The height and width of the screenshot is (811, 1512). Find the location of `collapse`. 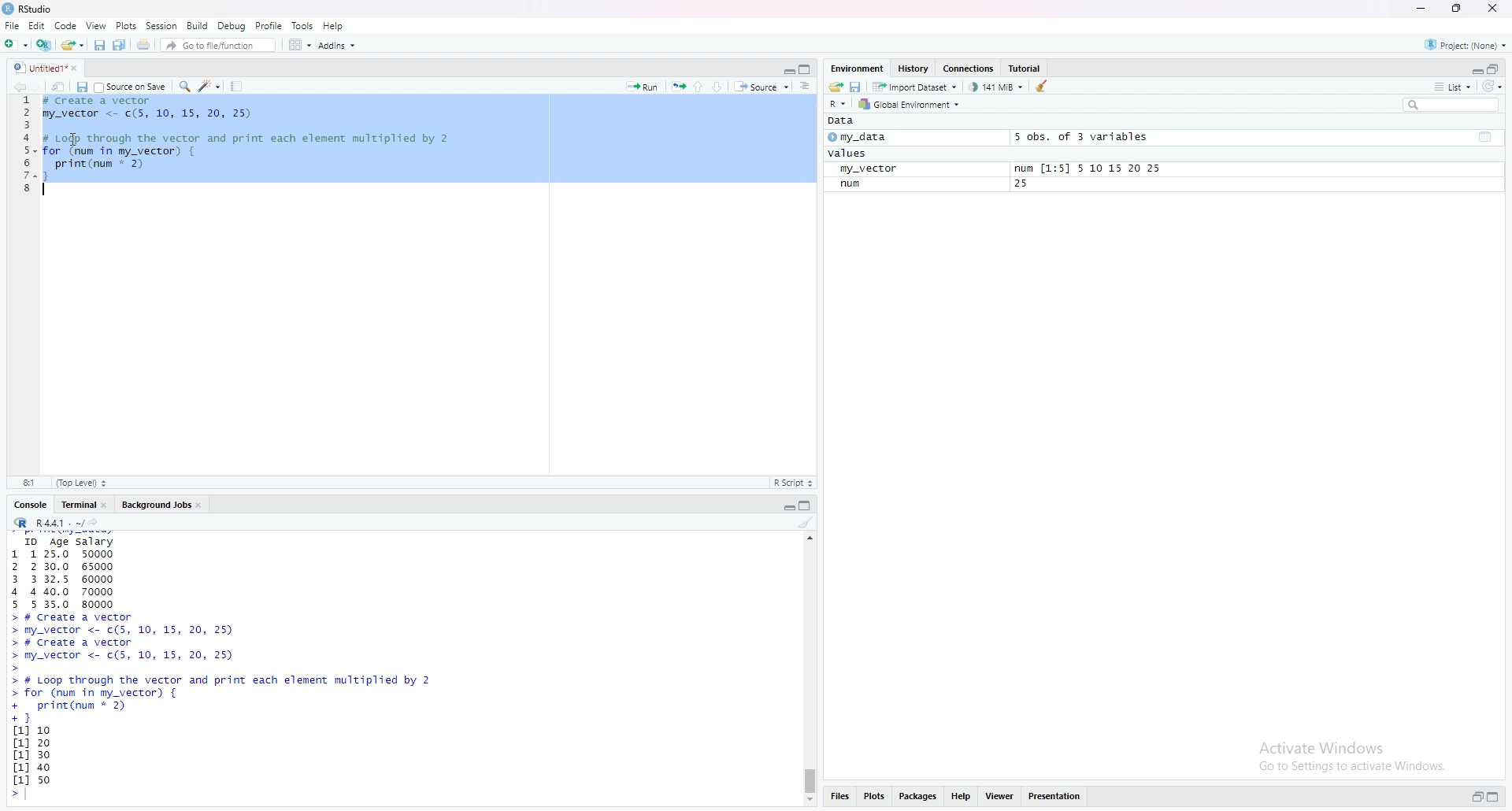

collapse is located at coordinates (1497, 797).